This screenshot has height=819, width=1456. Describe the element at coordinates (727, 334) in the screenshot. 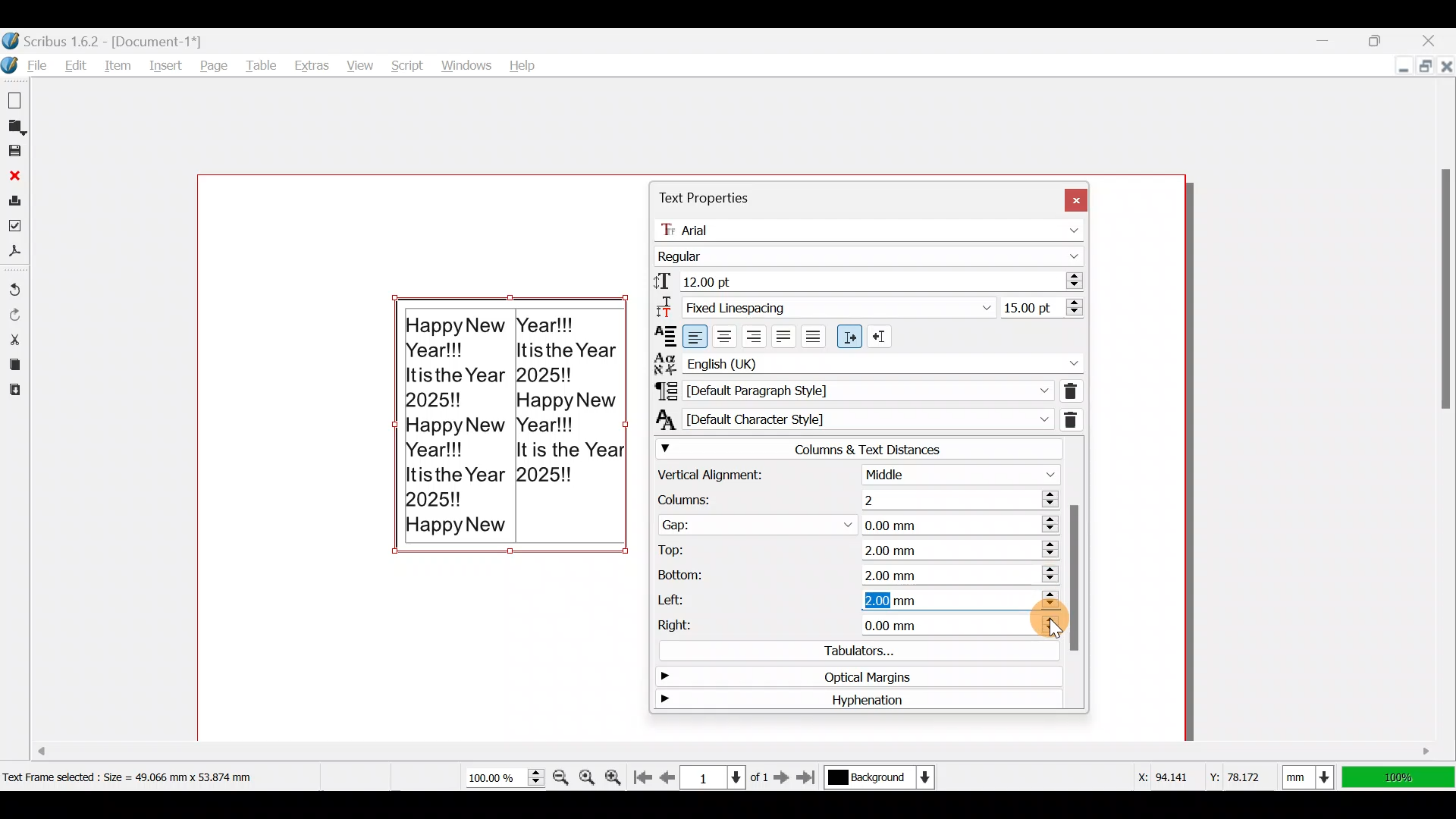

I see `Align text center` at that location.